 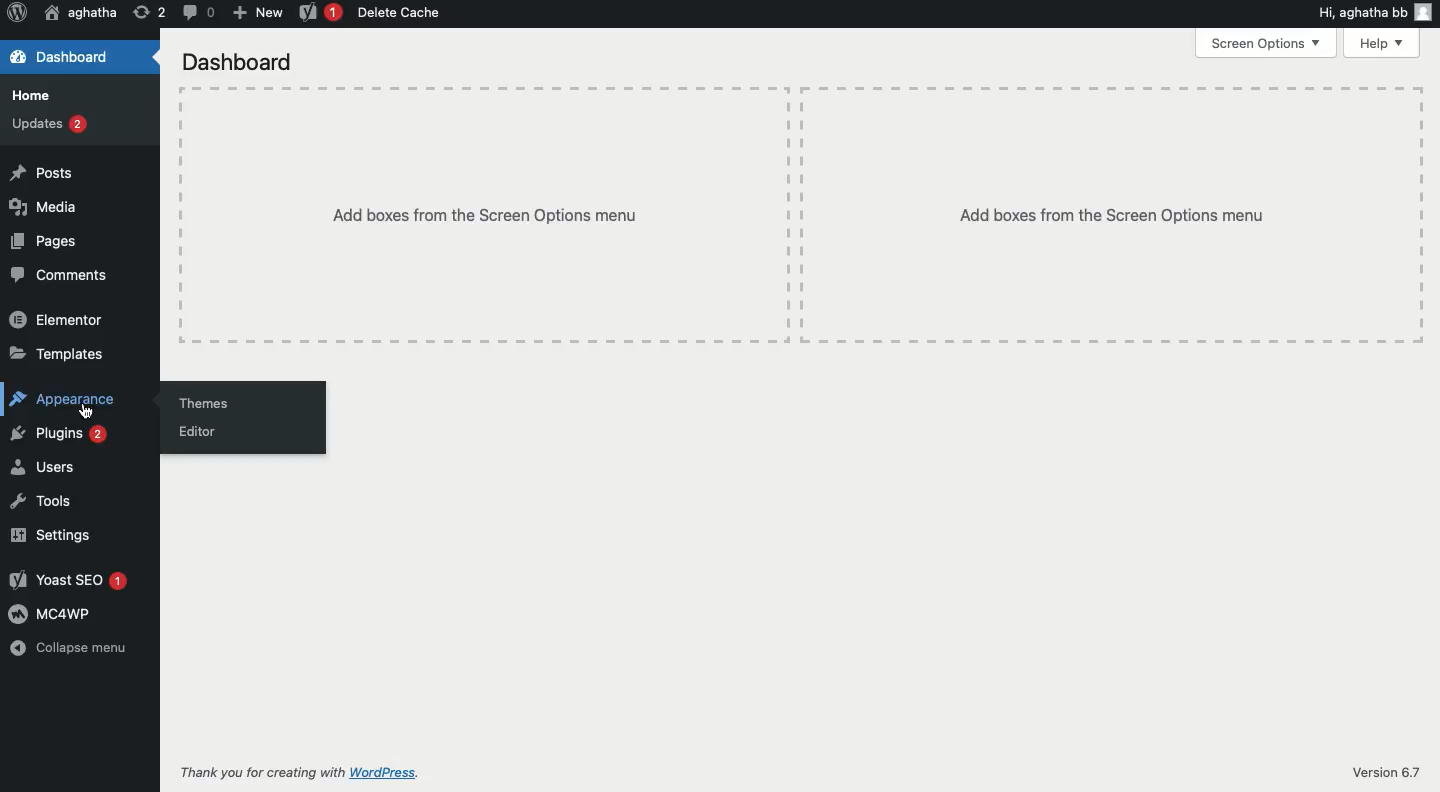 I want to click on Updates, so click(x=48, y=123).